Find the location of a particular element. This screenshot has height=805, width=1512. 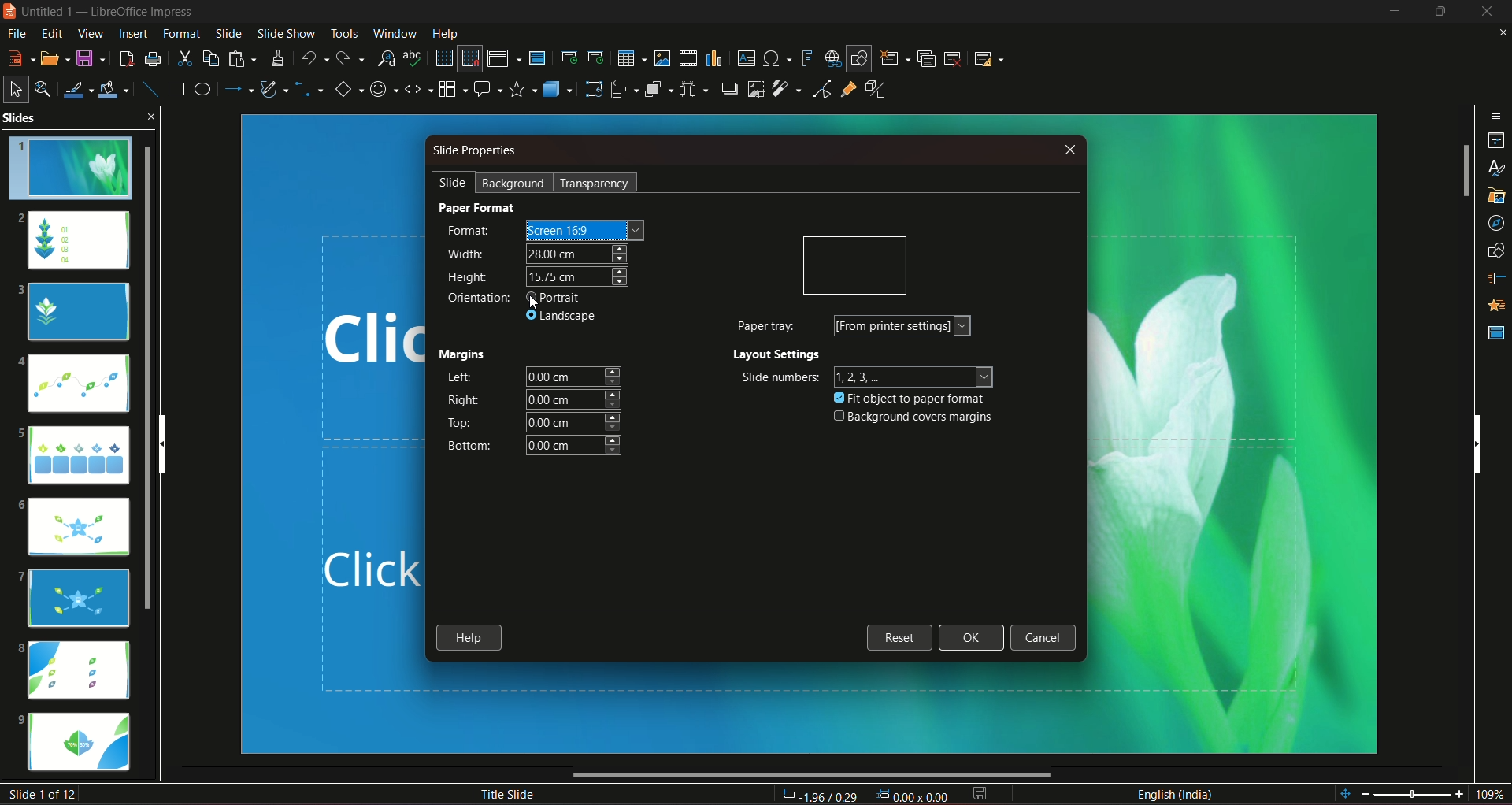

open is located at coordinates (54, 57).